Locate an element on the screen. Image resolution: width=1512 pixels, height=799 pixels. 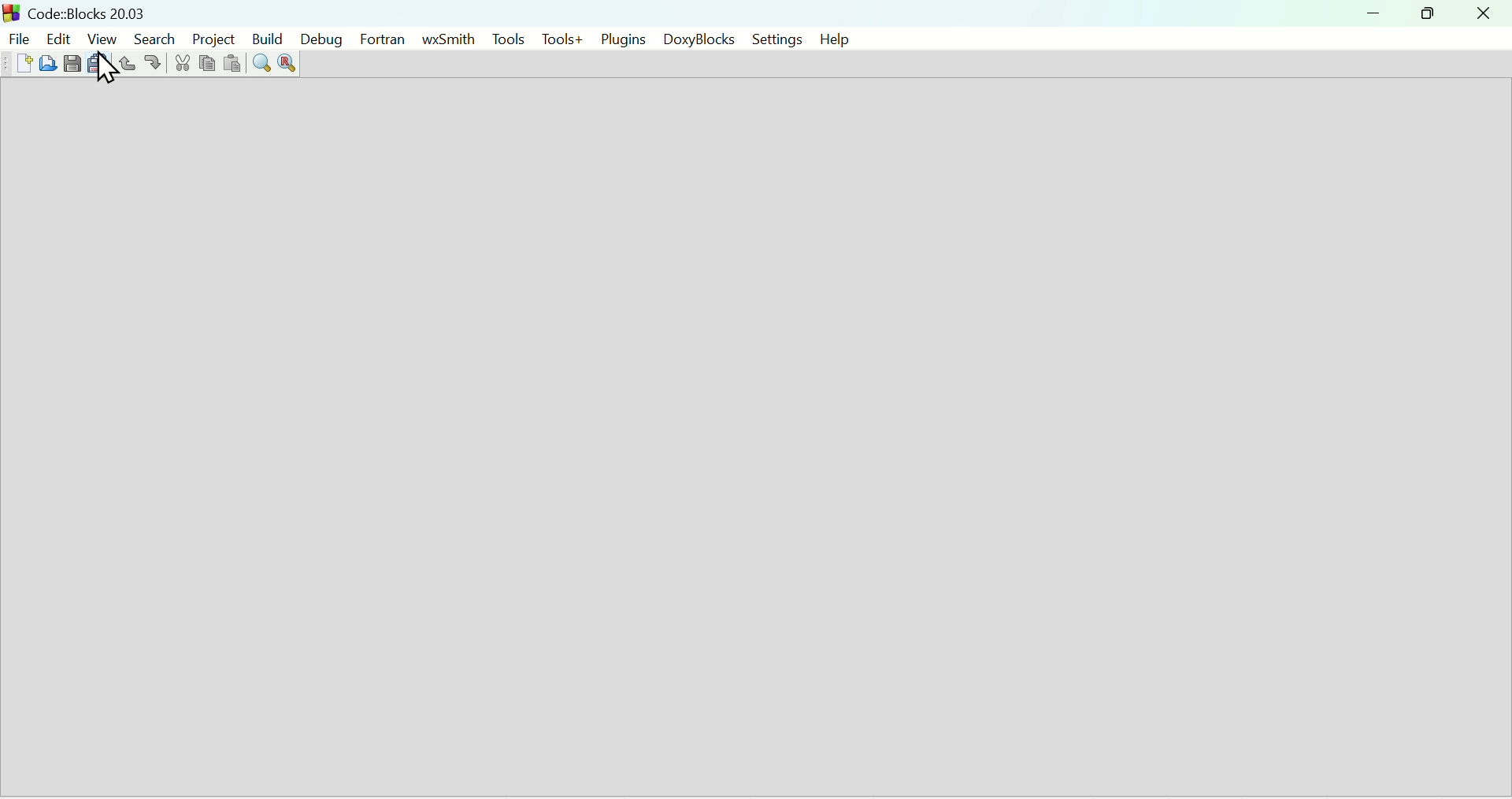
Tools+ is located at coordinates (562, 39).